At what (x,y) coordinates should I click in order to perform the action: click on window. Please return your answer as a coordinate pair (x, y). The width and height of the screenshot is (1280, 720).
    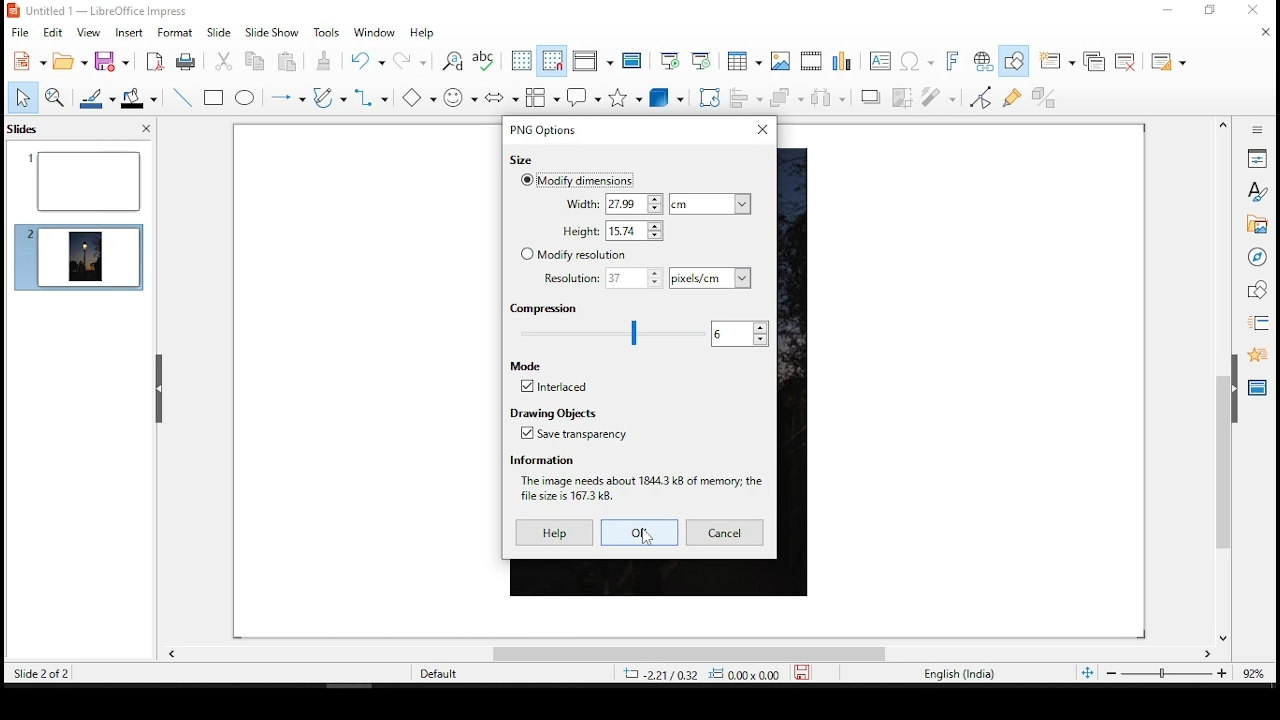
    Looking at the image, I should click on (376, 34).